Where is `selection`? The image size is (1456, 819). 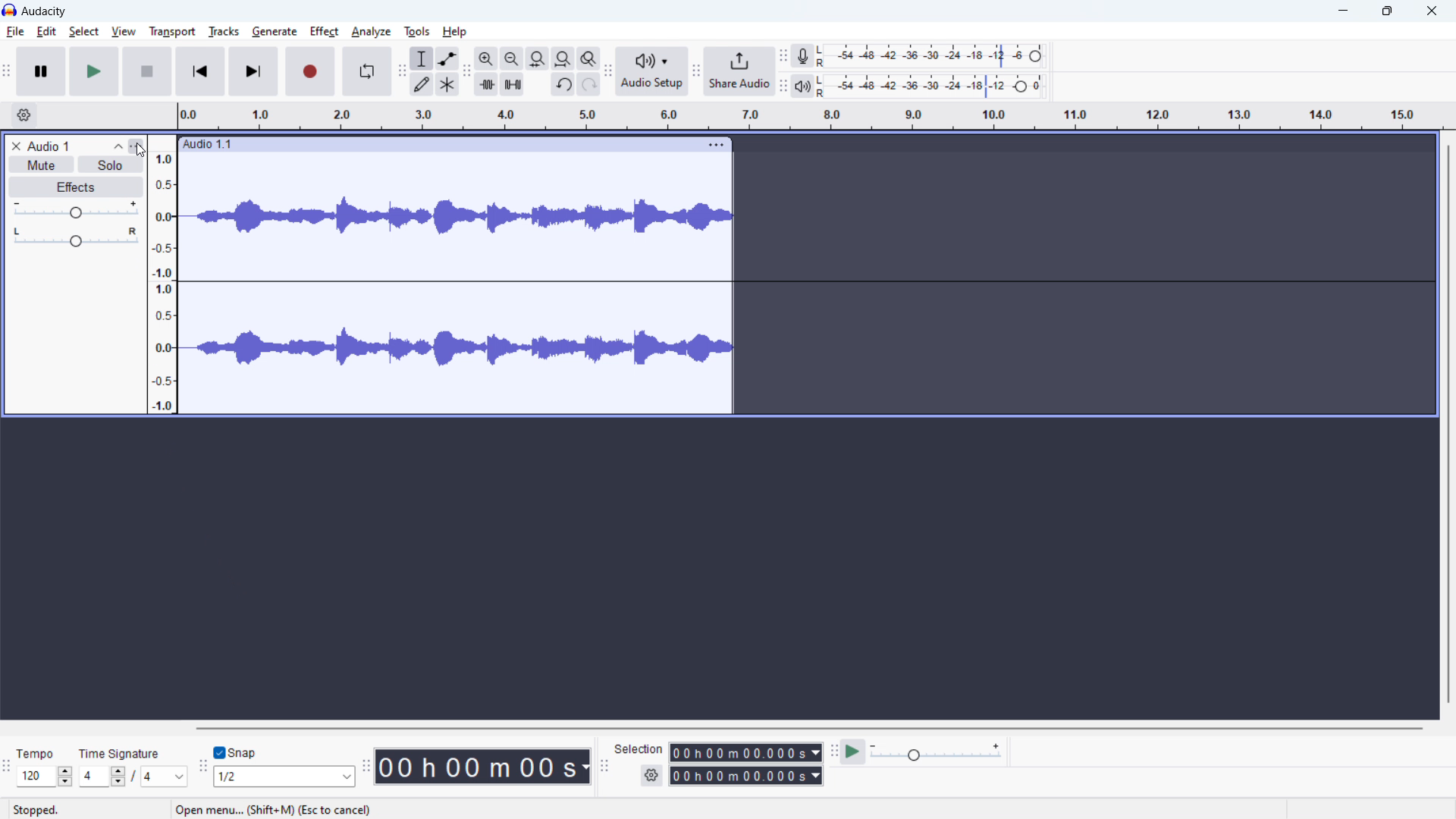
selection is located at coordinates (639, 748).